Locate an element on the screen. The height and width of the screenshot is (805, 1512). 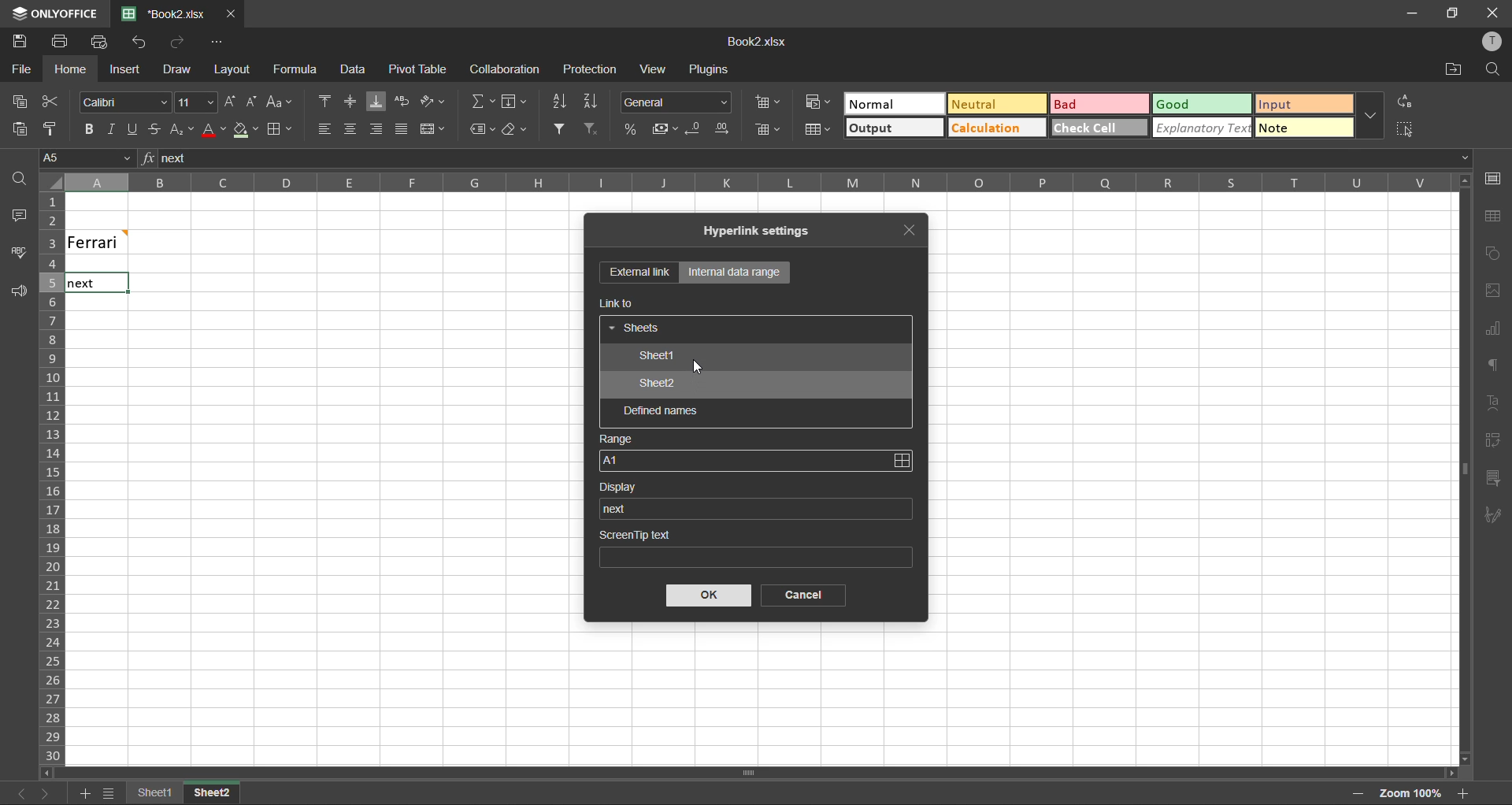
hyperlink settings is located at coordinates (765, 232).